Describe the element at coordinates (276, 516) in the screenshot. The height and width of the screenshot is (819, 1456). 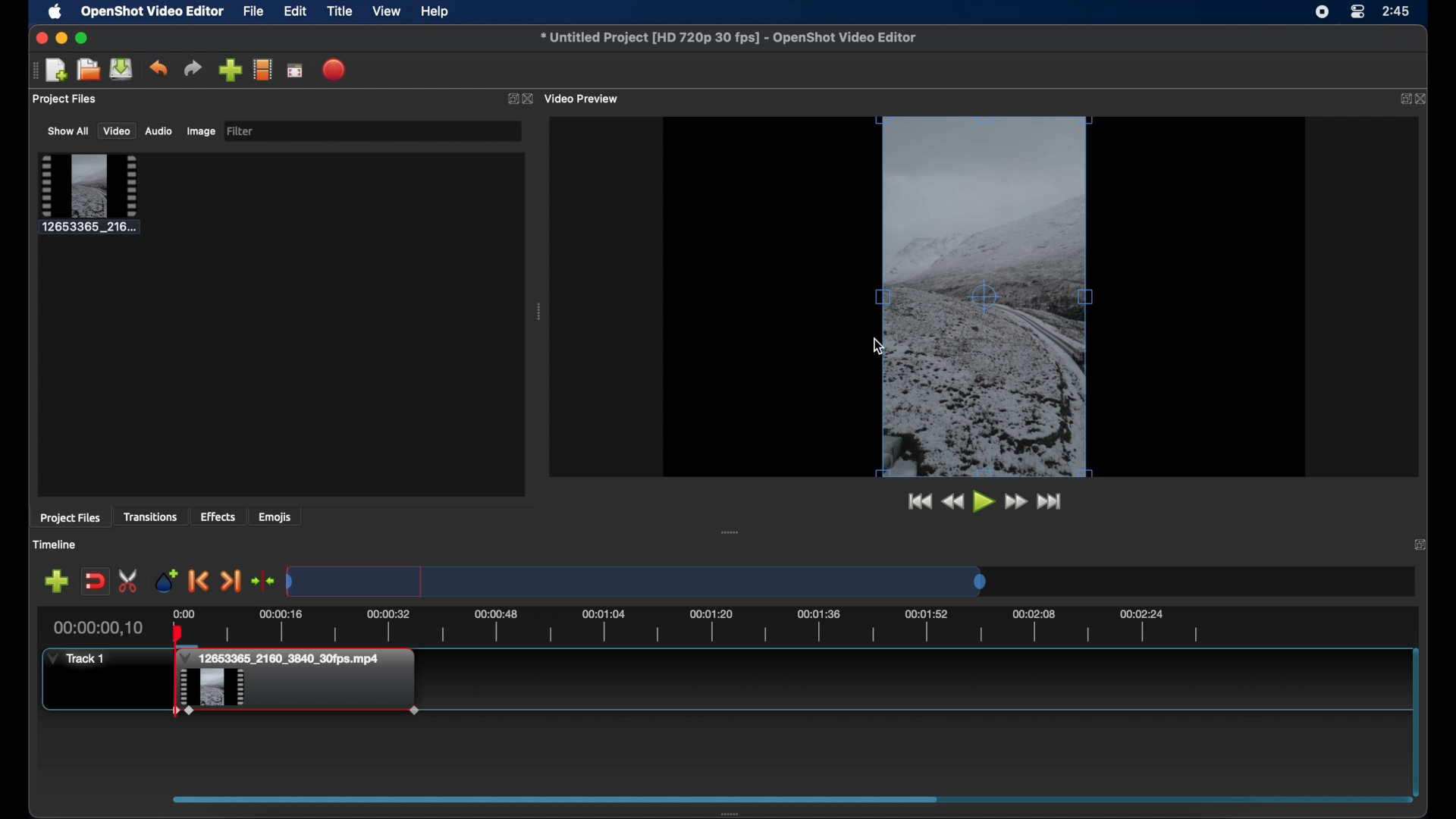
I see `emojis` at that location.